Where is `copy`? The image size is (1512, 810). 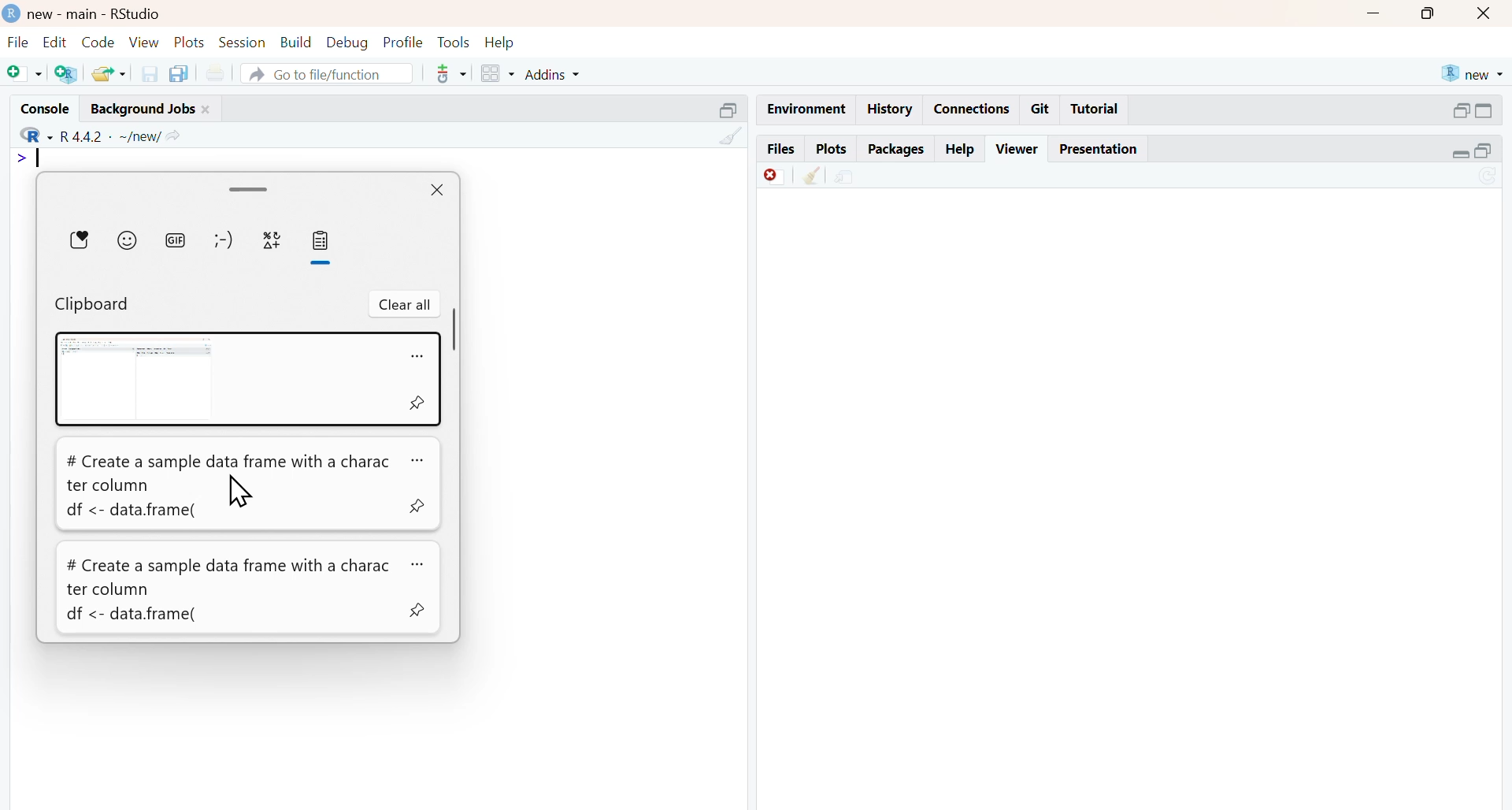 copy is located at coordinates (178, 74).